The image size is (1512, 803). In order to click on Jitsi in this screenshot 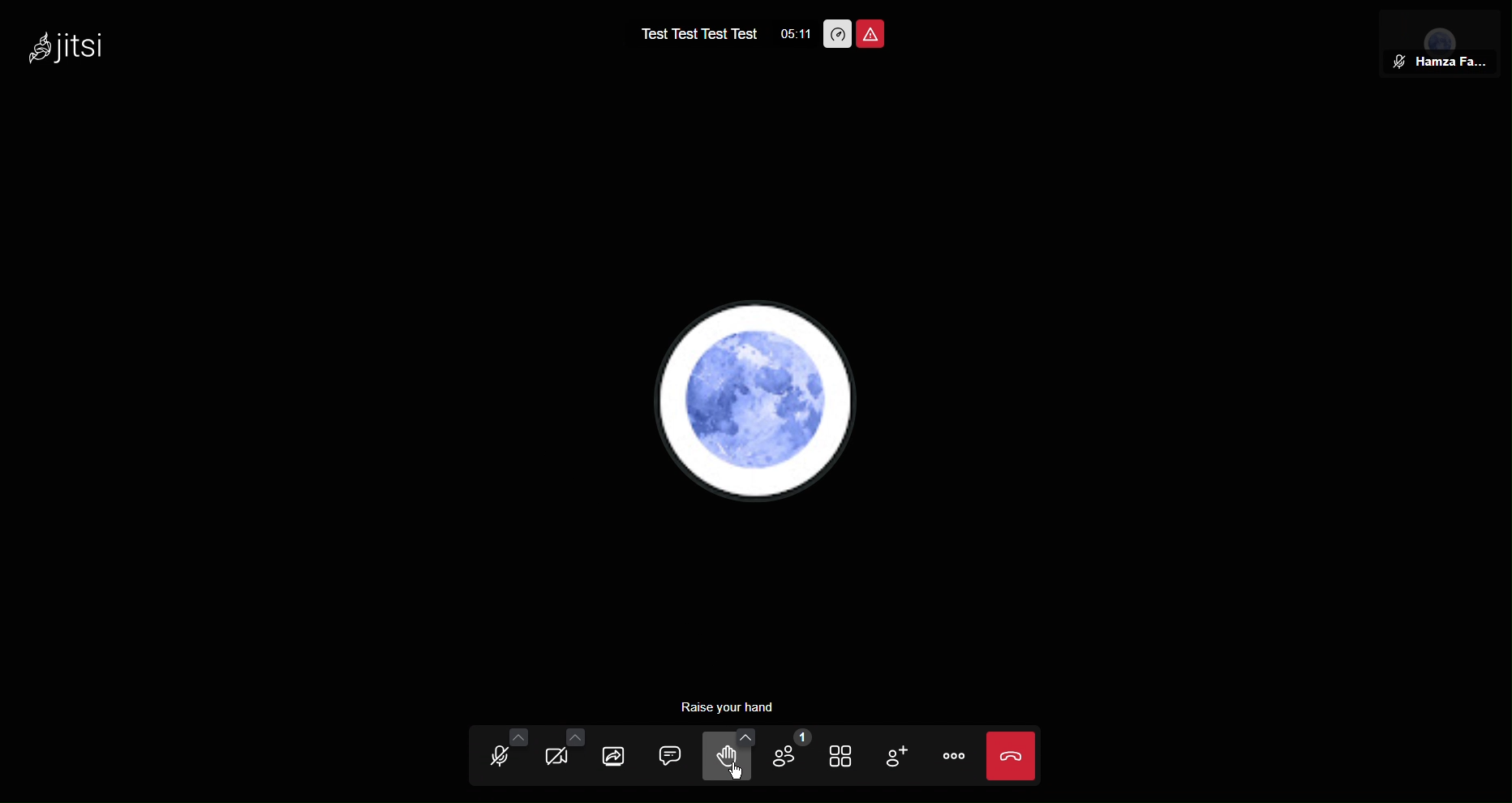, I will do `click(62, 46)`.